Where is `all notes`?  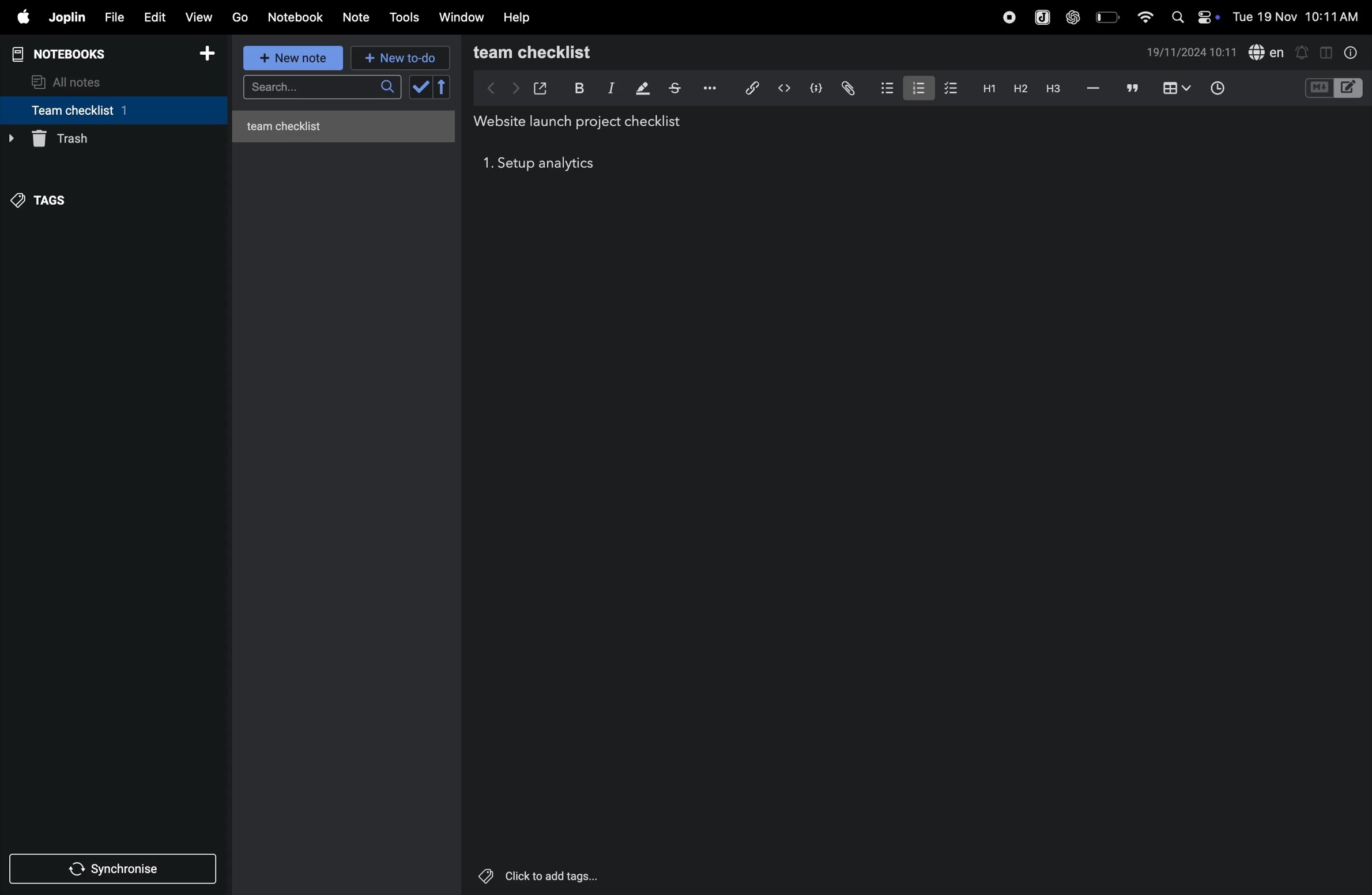
all notes is located at coordinates (76, 81).